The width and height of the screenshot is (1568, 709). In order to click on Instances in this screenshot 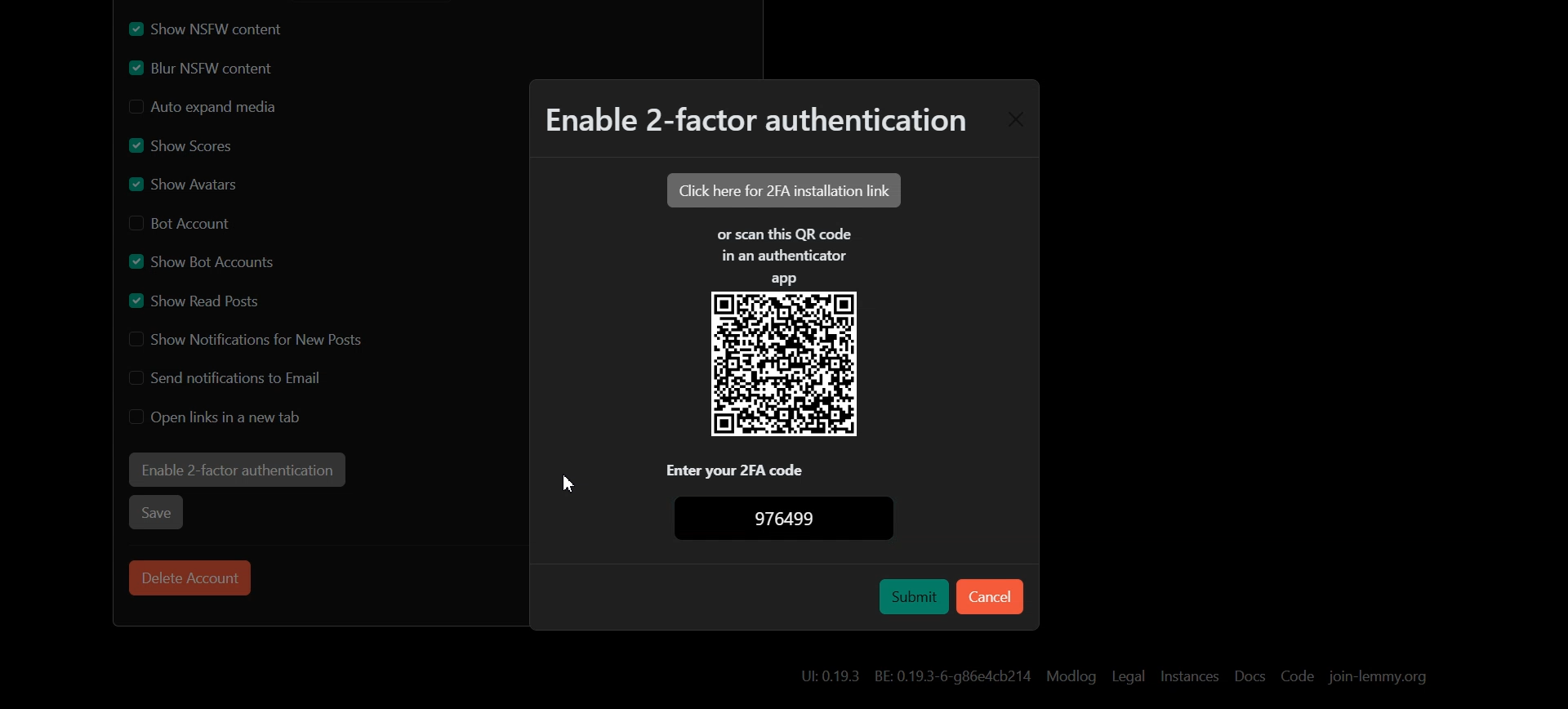, I will do `click(1190, 676)`.